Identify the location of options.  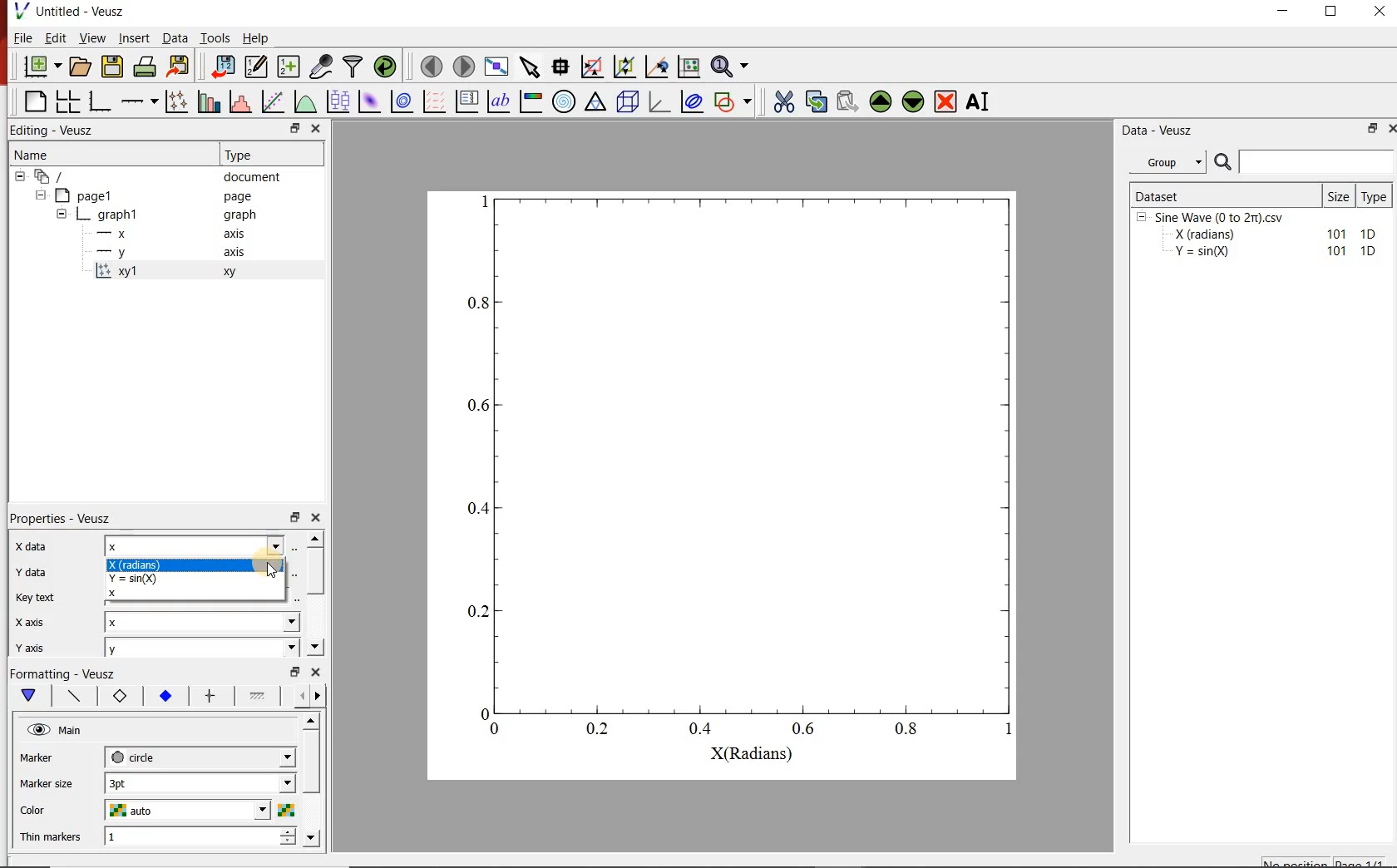
(208, 697).